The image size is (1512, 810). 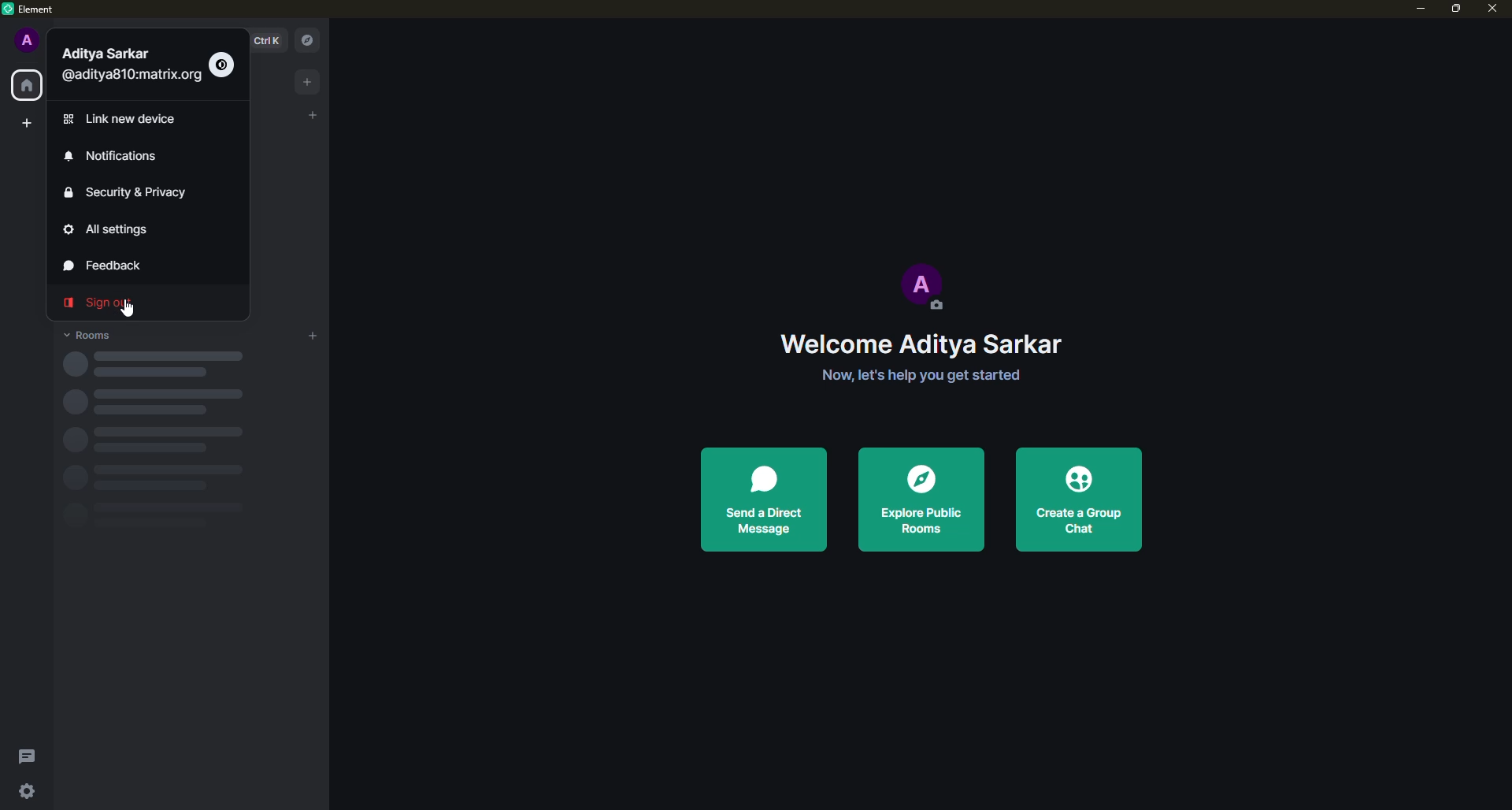 I want to click on start chat, so click(x=314, y=113).